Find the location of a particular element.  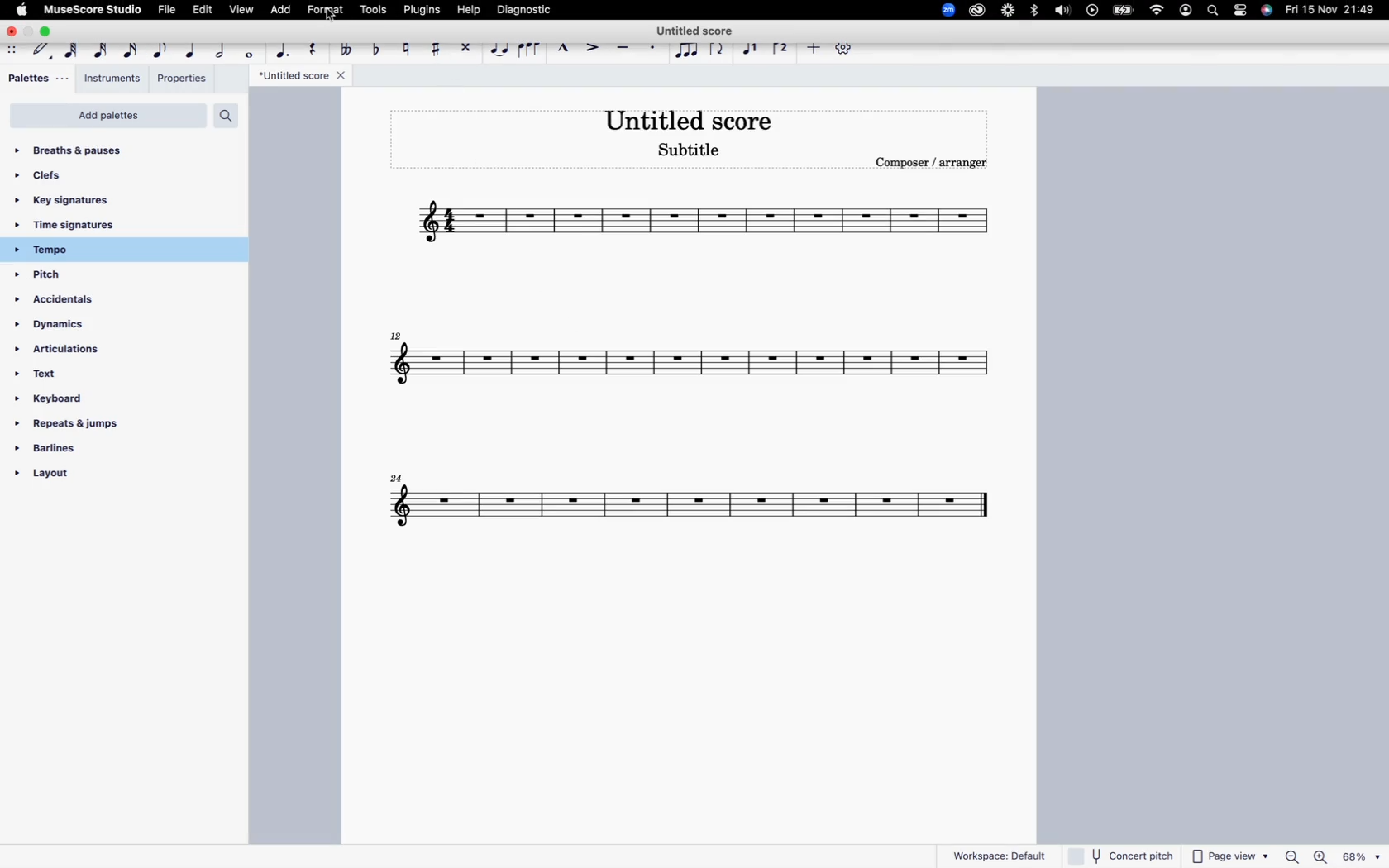

minimize is located at coordinates (29, 32).